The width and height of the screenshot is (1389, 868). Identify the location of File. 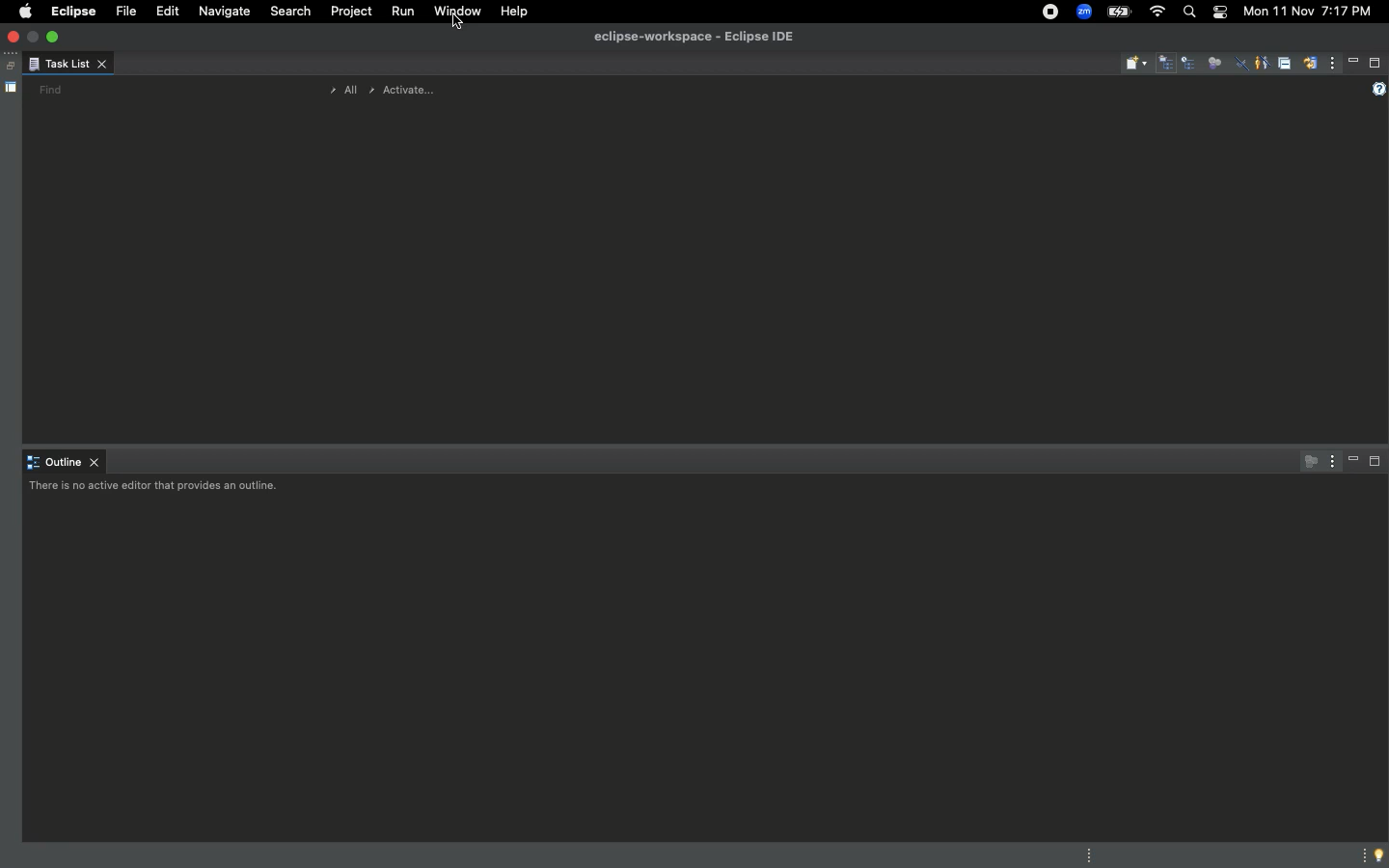
(123, 13).